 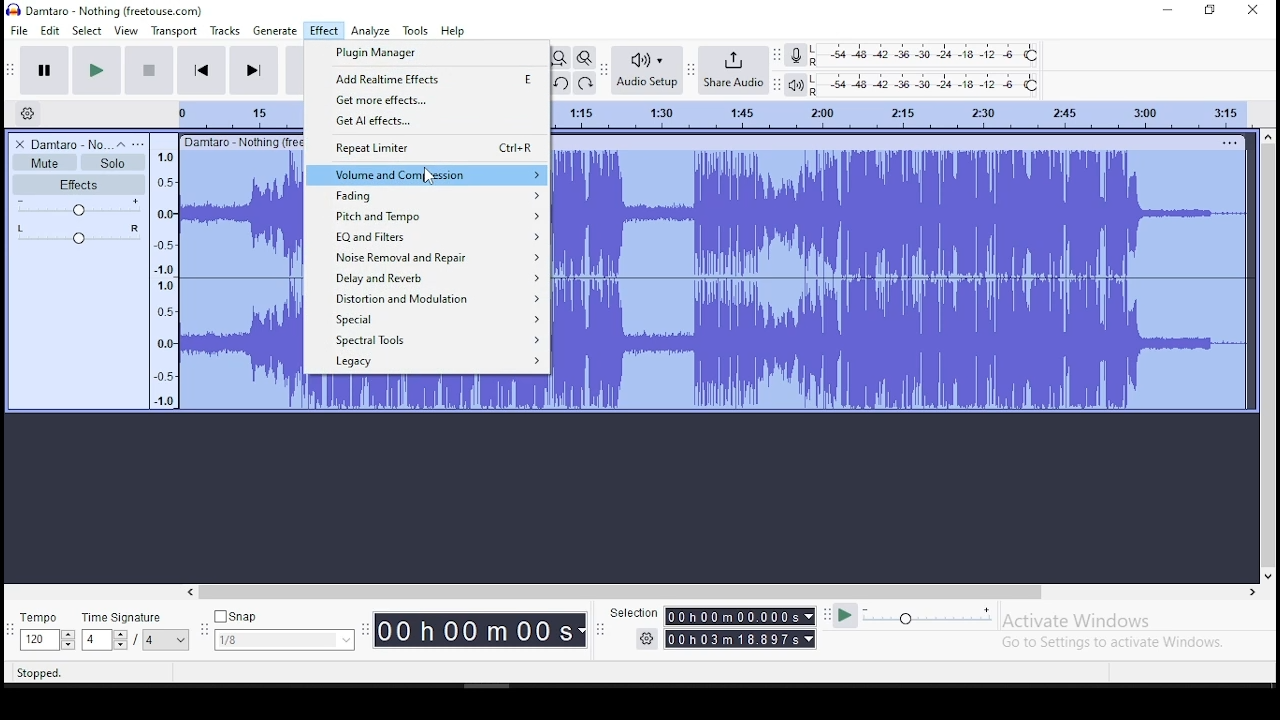 I want to click on tracks, so click(x=225, y=30).